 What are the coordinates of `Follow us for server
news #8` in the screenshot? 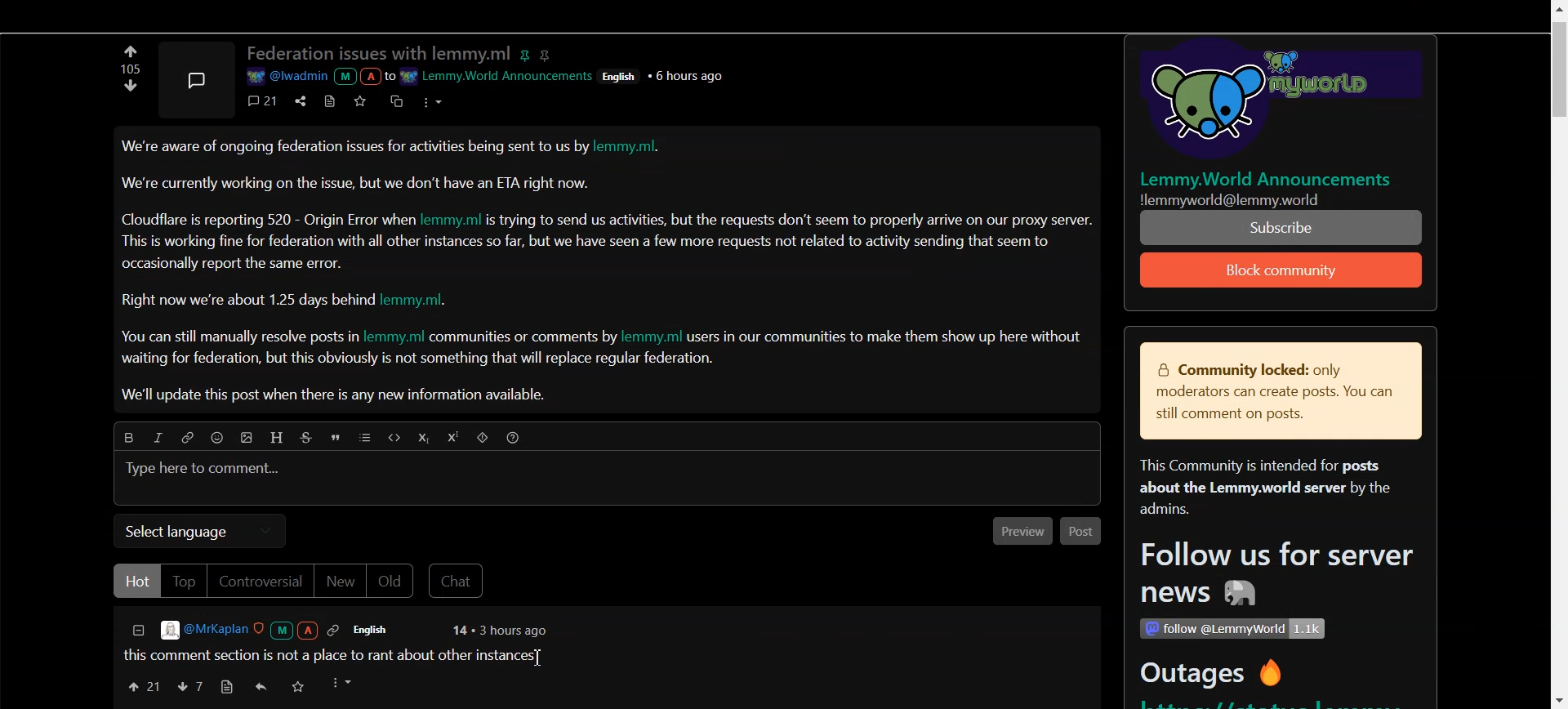 It's located at (1272, 577).